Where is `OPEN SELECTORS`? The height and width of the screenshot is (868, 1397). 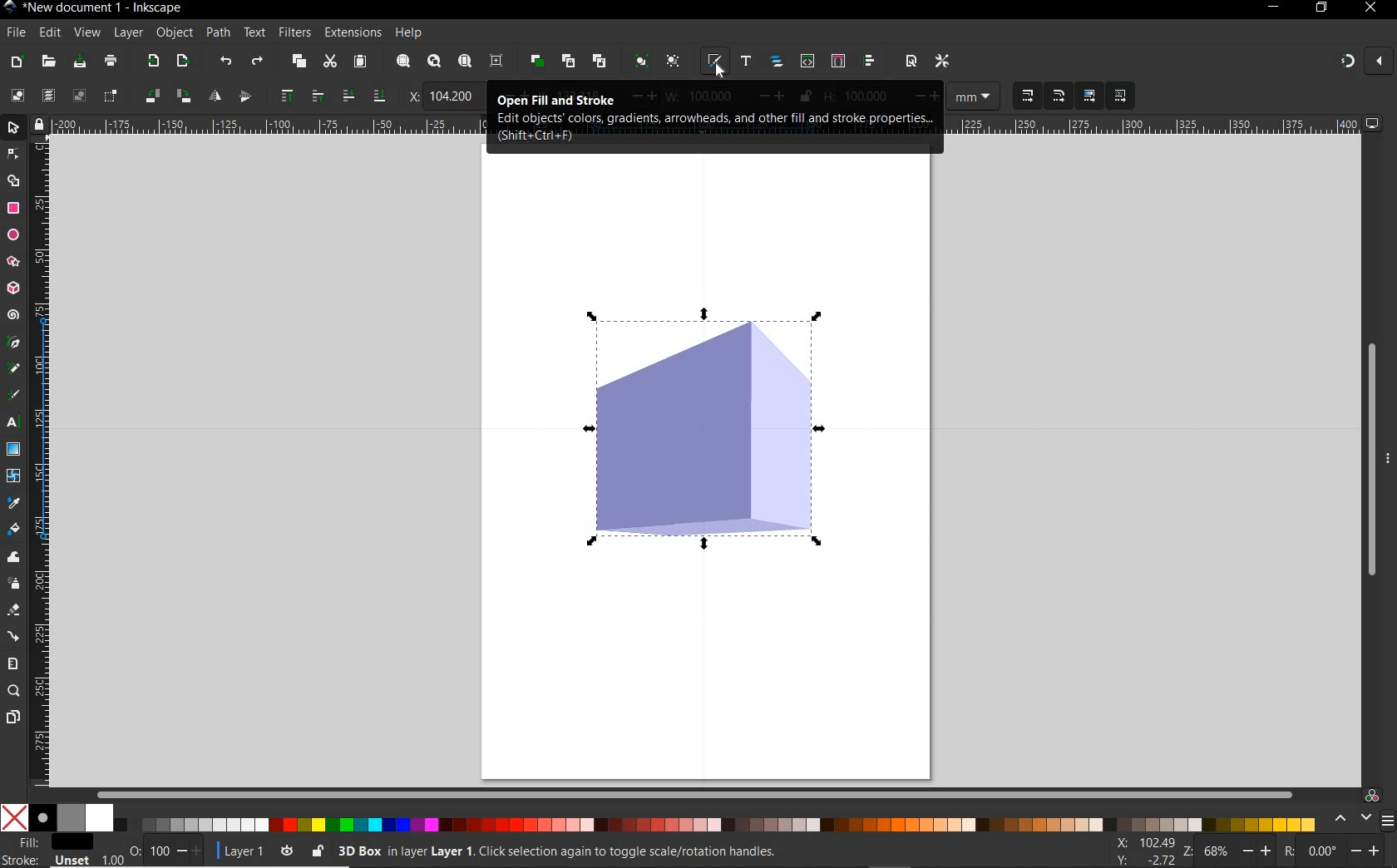 OPEN SELECTORS is located at coordinates (838, 62).